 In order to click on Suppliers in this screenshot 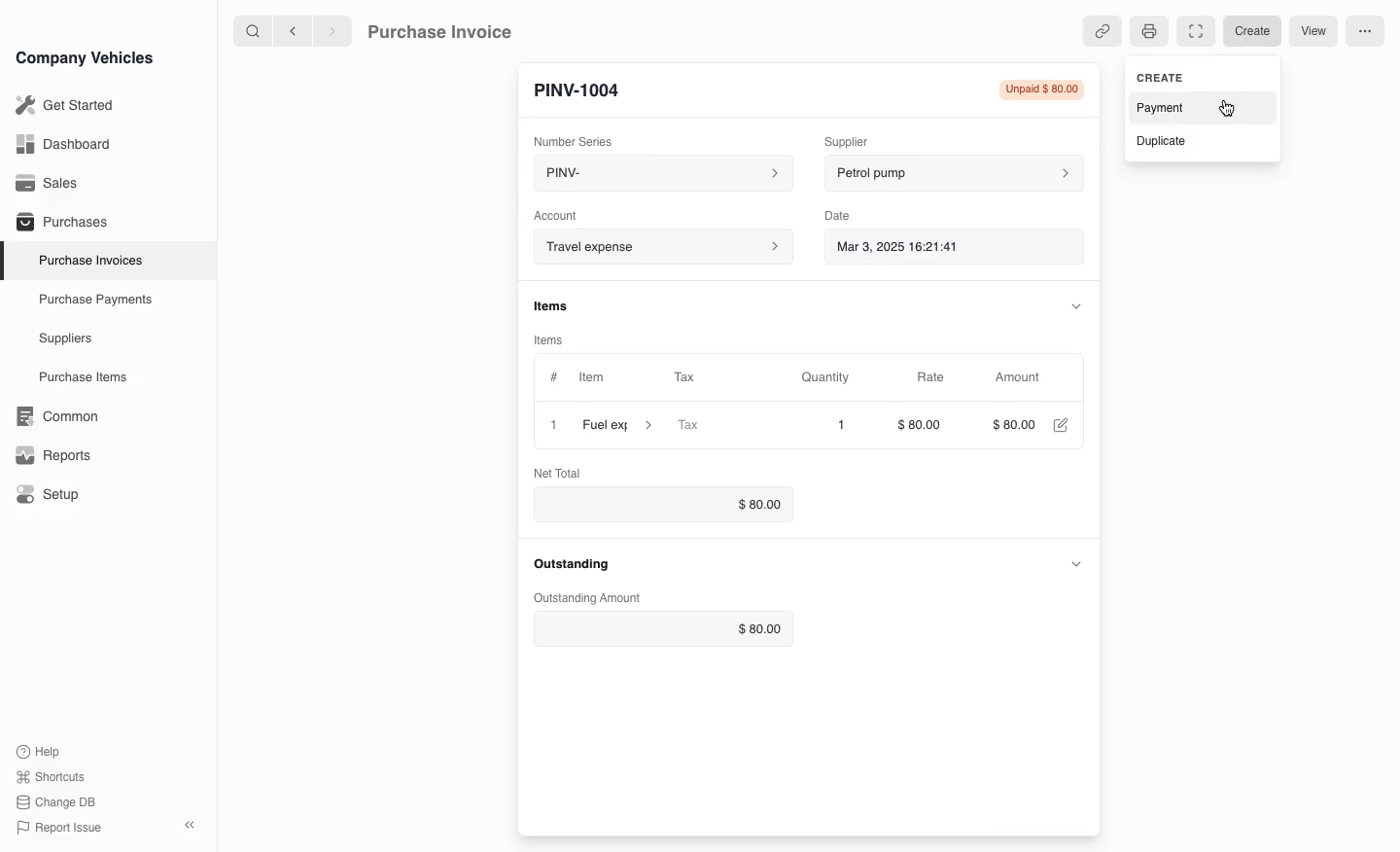, I will do `click(64, 339)`.